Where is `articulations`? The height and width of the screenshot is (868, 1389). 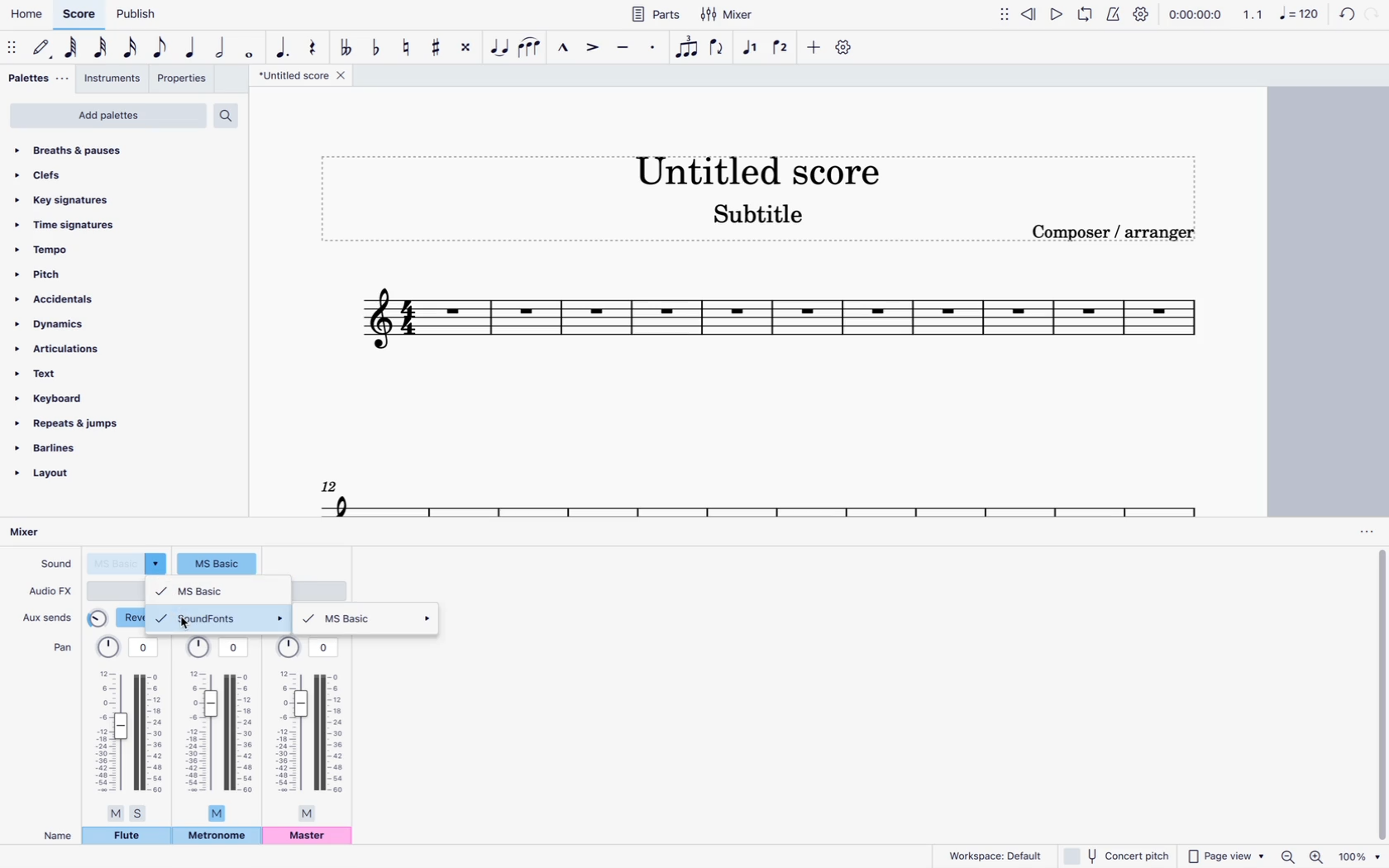
articulations is located at coordinates (62, 351).